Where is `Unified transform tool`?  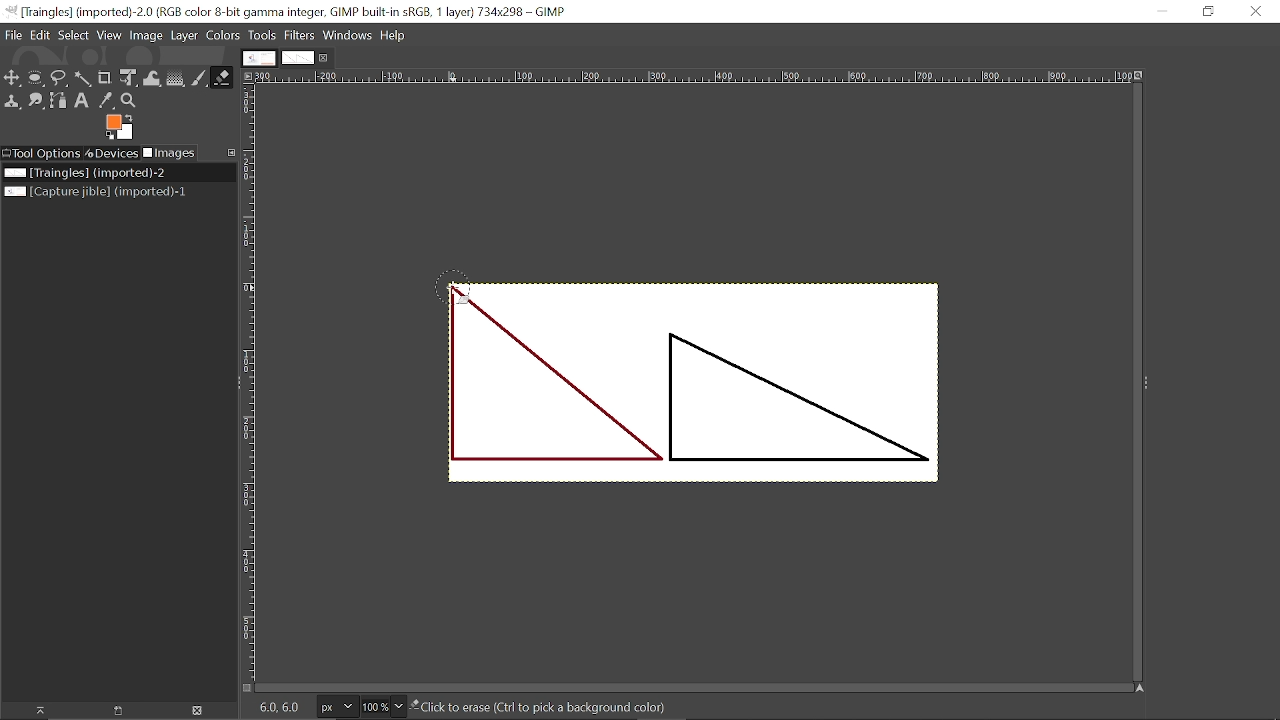 Unified transform tool is located at coordinates (127, 78).